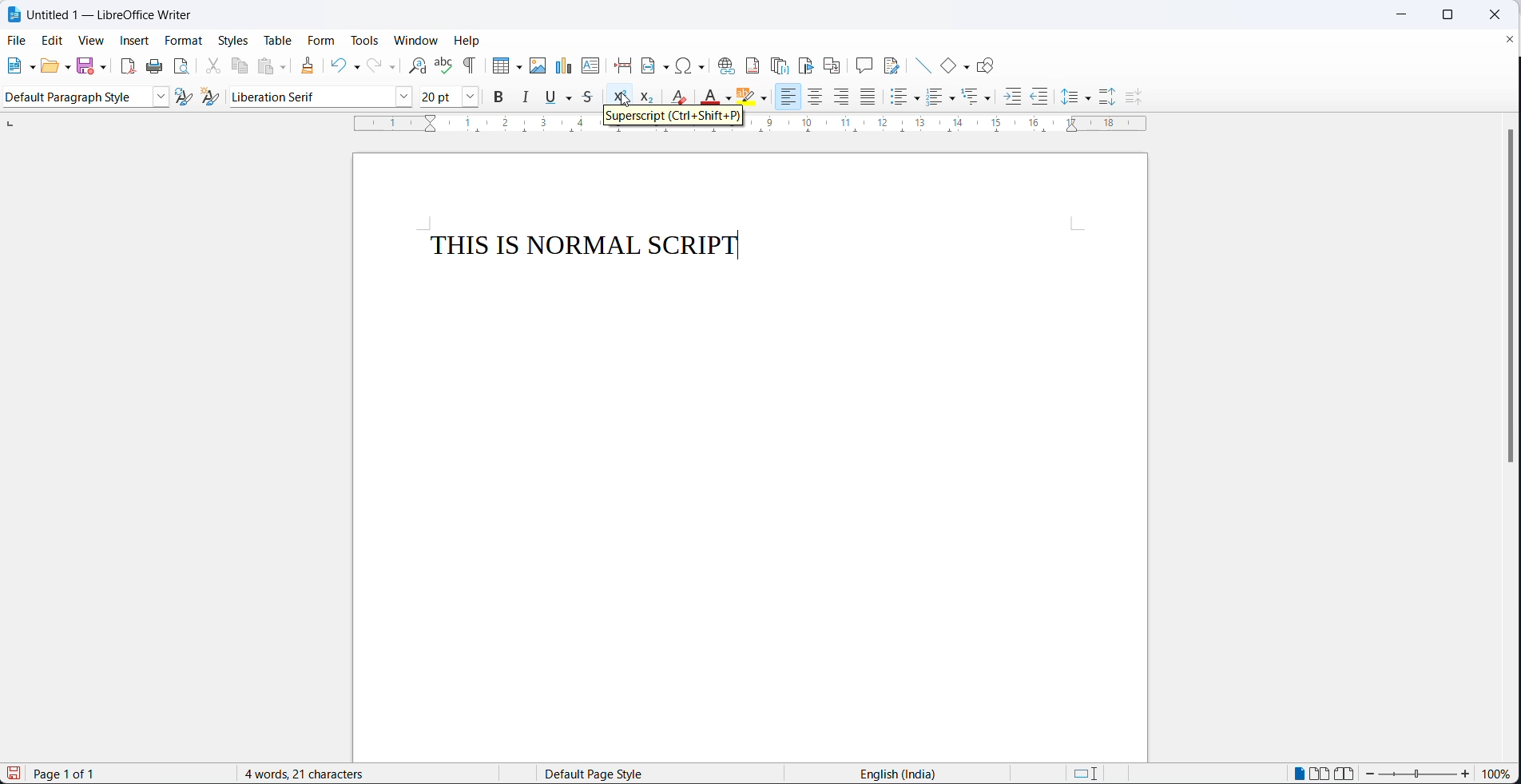 The image size is (1521, 784). What do you see at coordinates (901, 774) in the screenshot?
I see `text language` at bounding box center [901, 774].